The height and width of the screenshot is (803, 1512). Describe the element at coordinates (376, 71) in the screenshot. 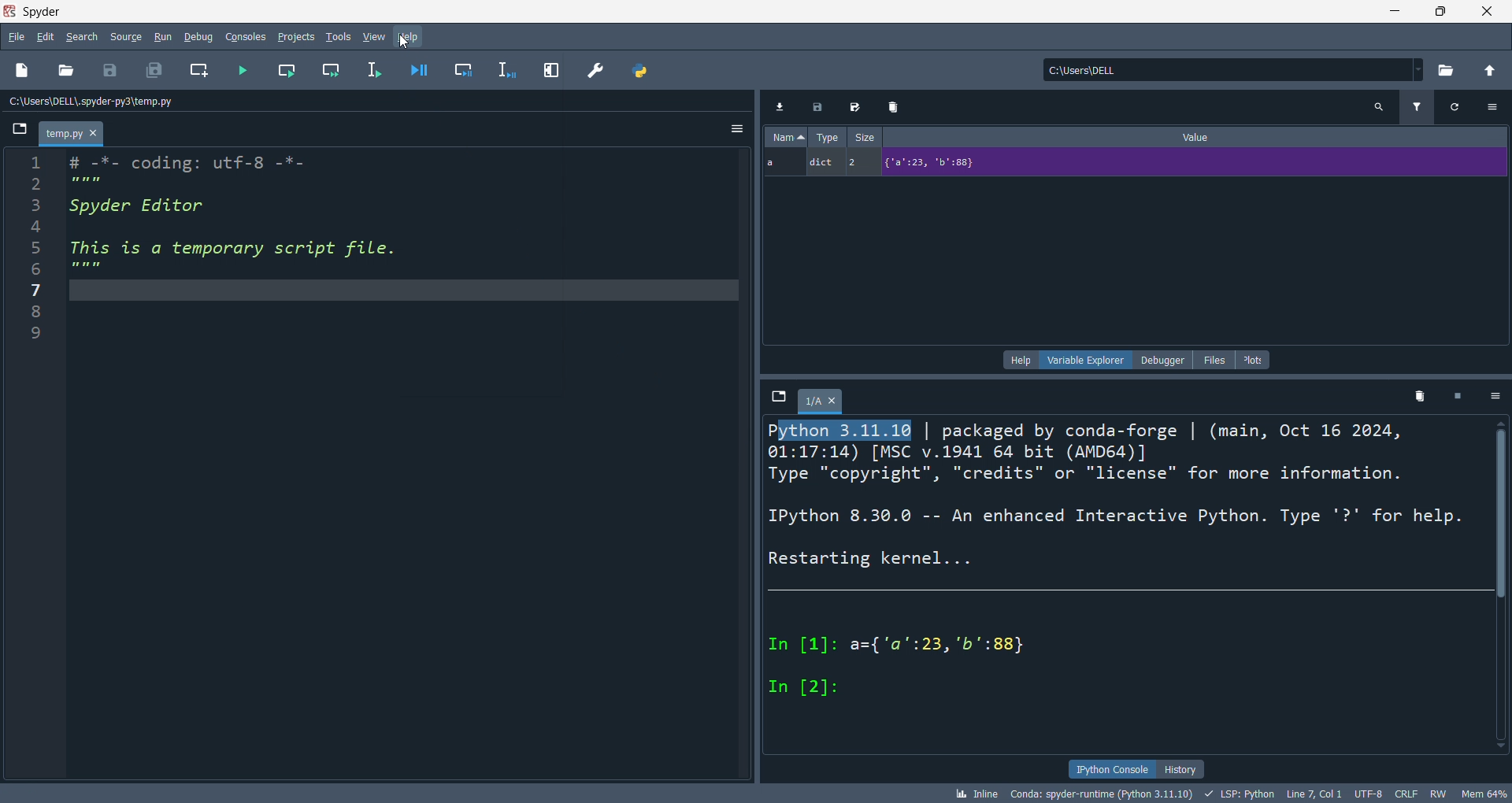

I see `run line` at that location.